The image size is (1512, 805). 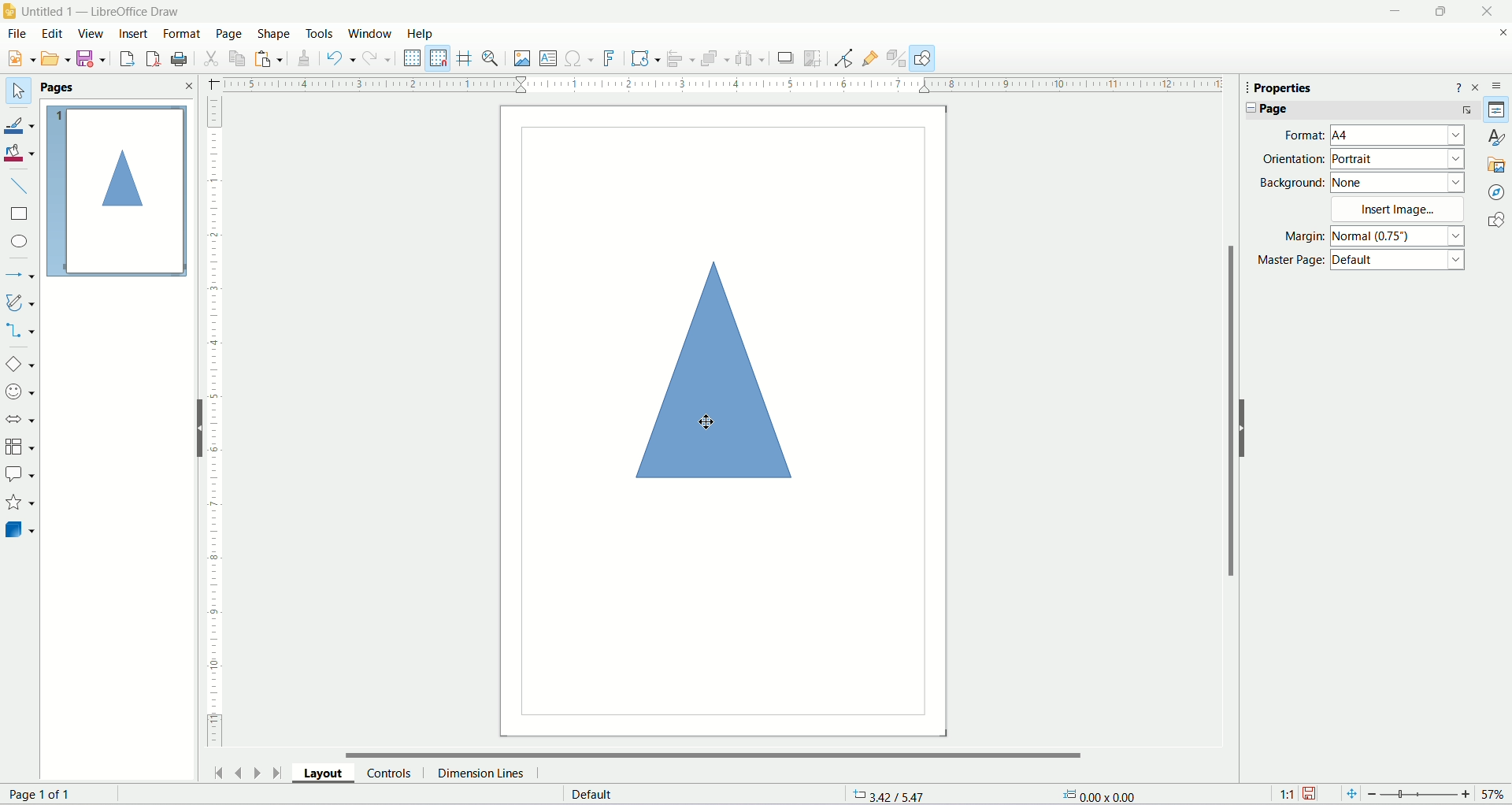 What do you see at coordinates (843, 57) in the screenshot?
I see `Points` at bounding box center [843, 57].